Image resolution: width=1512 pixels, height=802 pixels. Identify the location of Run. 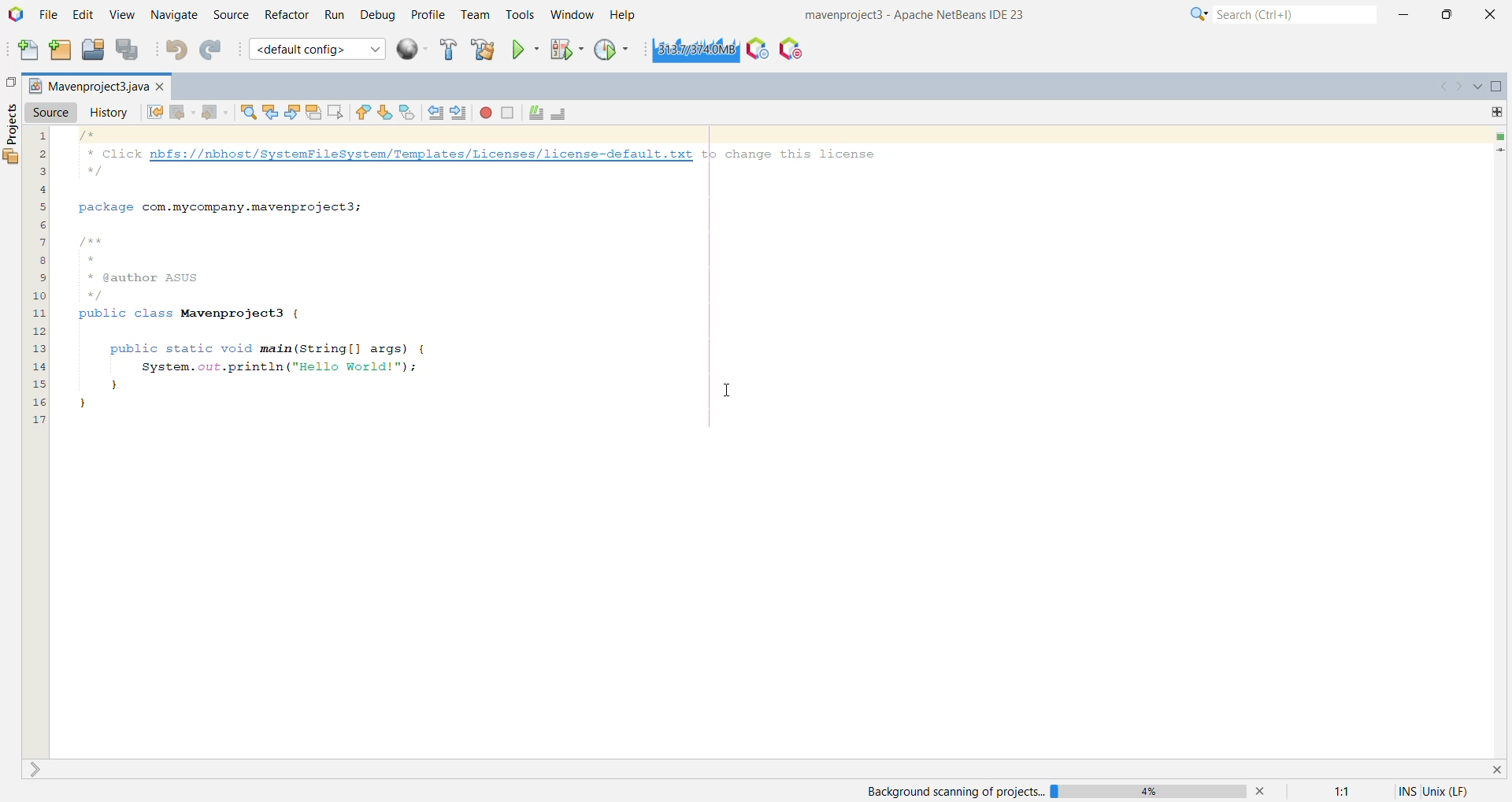
(335, 16).